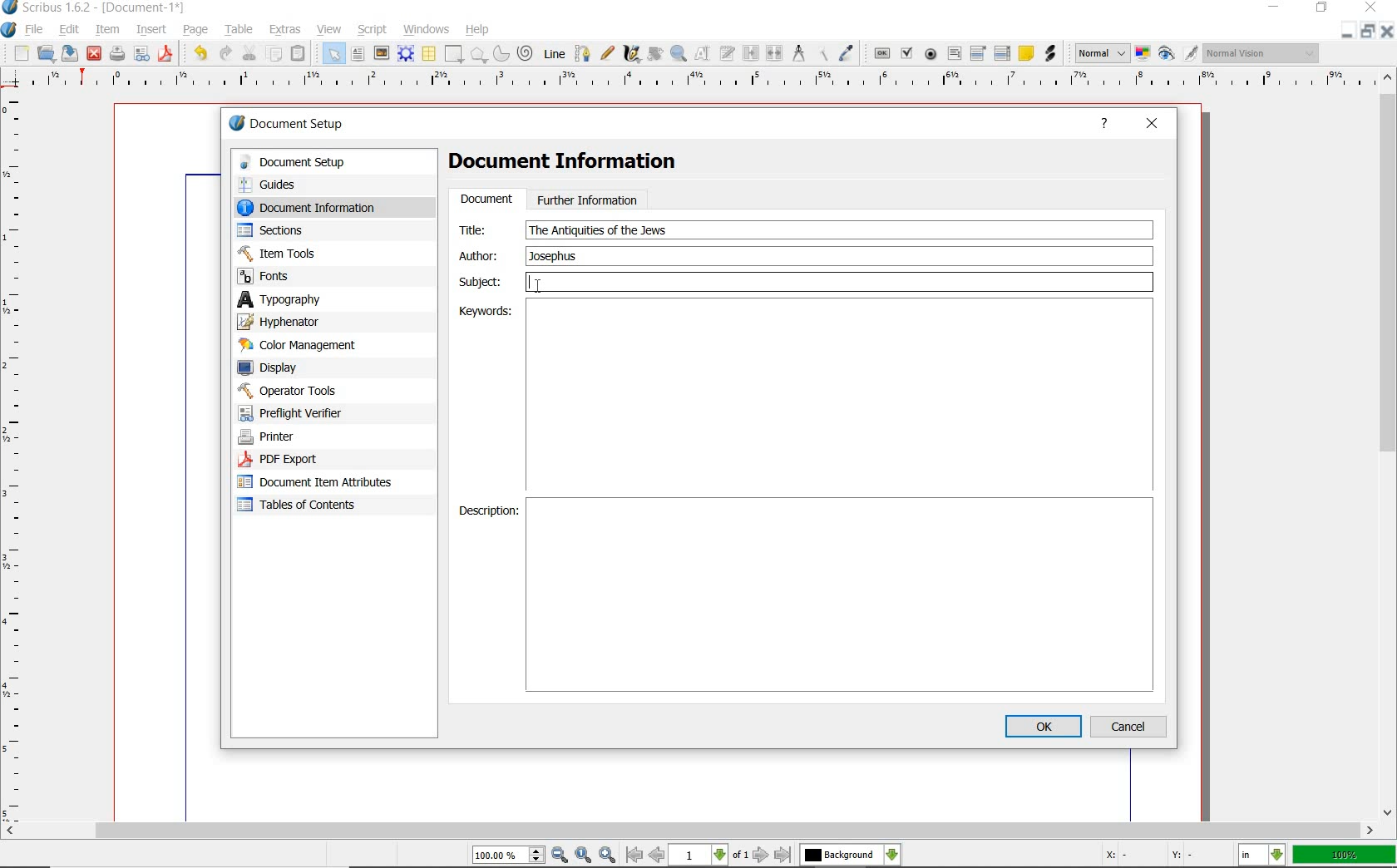  Describe the element at coordinates (310, 391) in the screenshot. I see `operator tools` at that location.